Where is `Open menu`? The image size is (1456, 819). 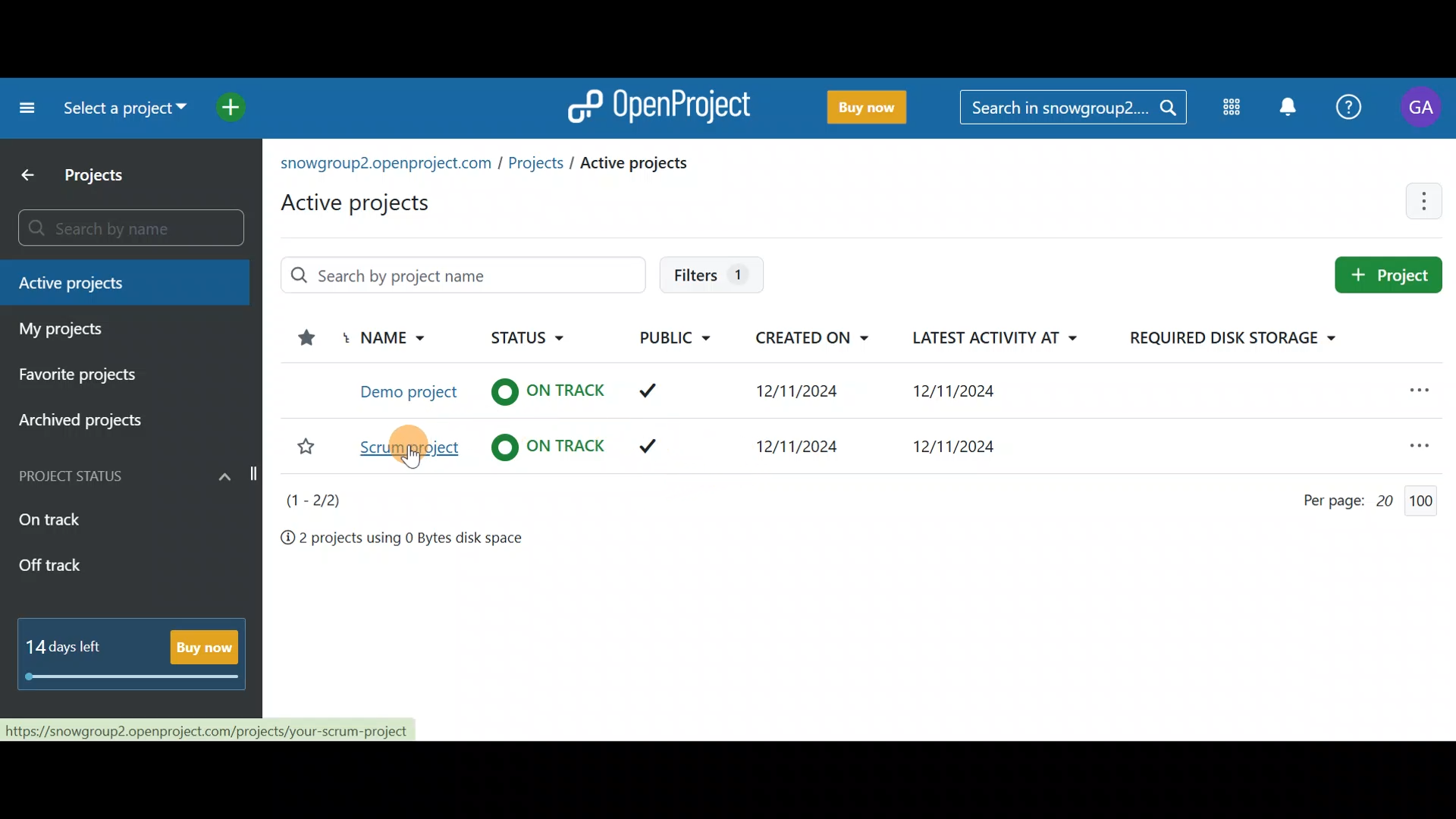
Open menu is located at coordinates (1418, 441).